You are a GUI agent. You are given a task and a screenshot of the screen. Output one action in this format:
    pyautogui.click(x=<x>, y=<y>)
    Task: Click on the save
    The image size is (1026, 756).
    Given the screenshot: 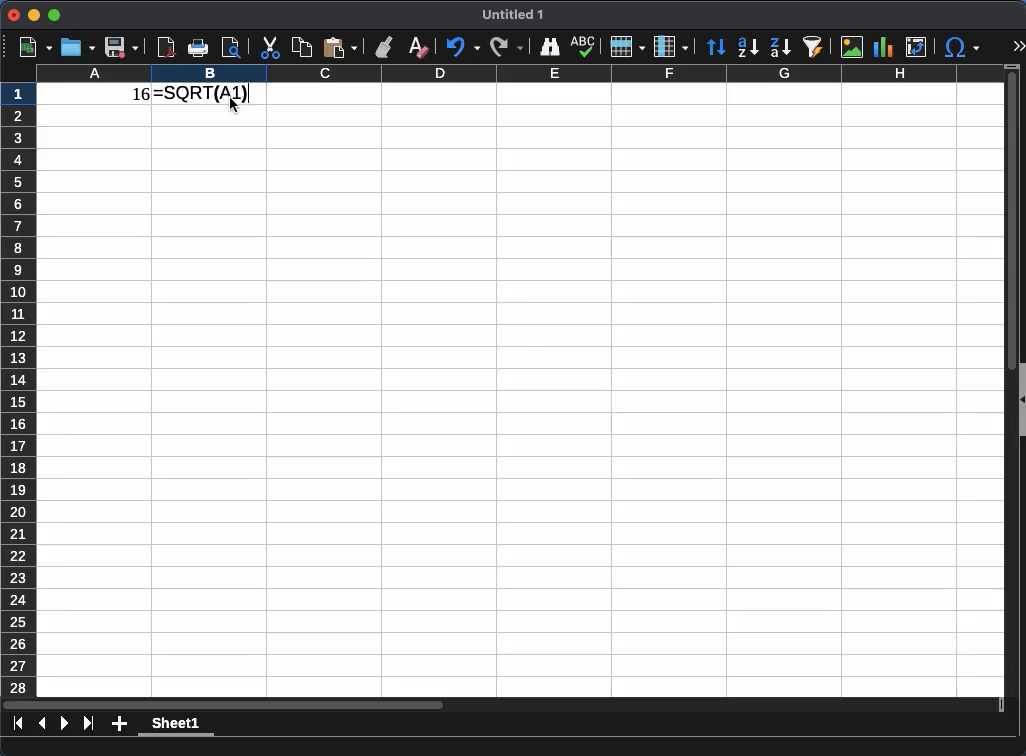 What is the action you would take?
    pyautogui.click(x=121, y=49)
    